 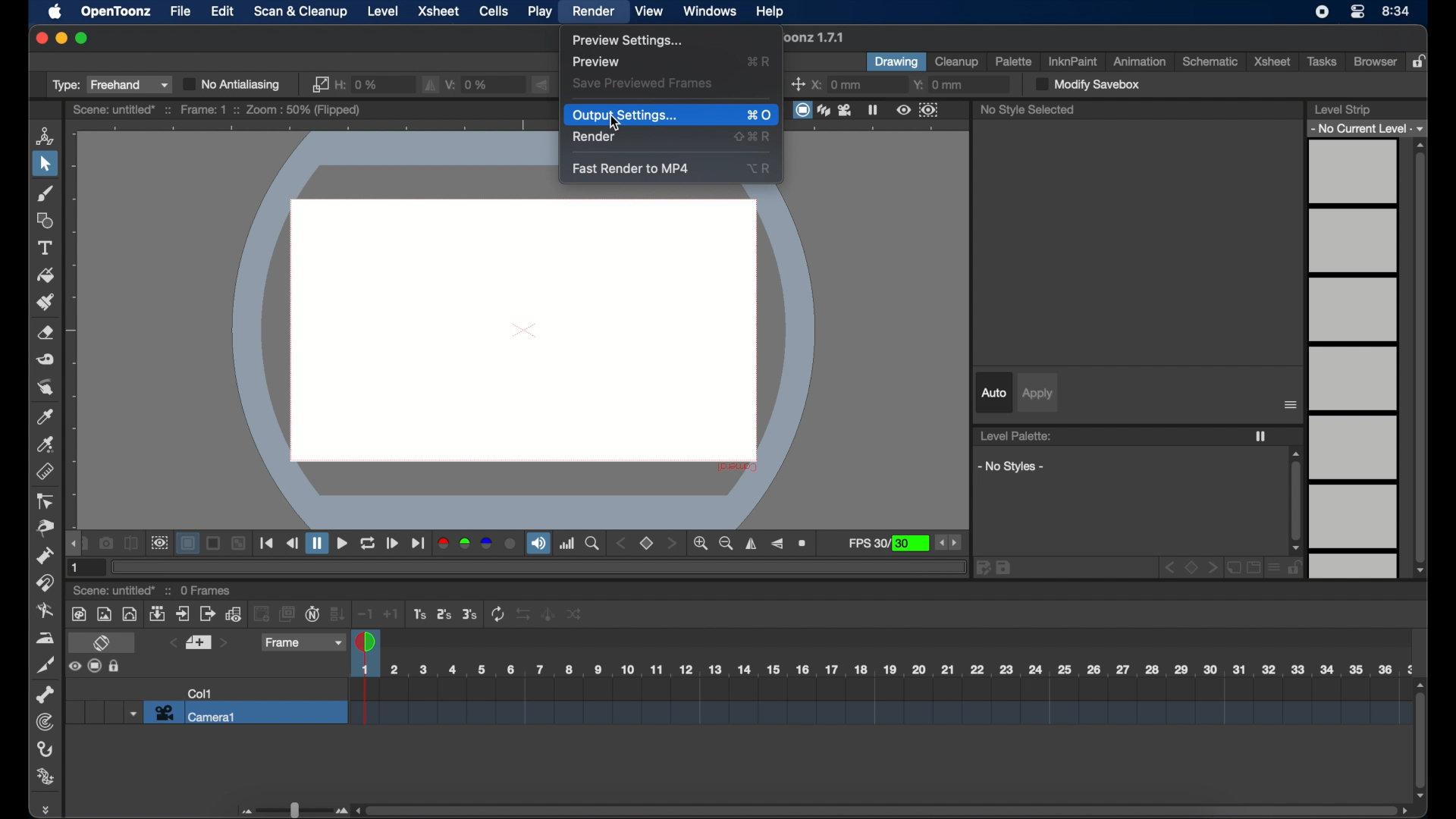 I want to click on , so click(x=548, y=613).